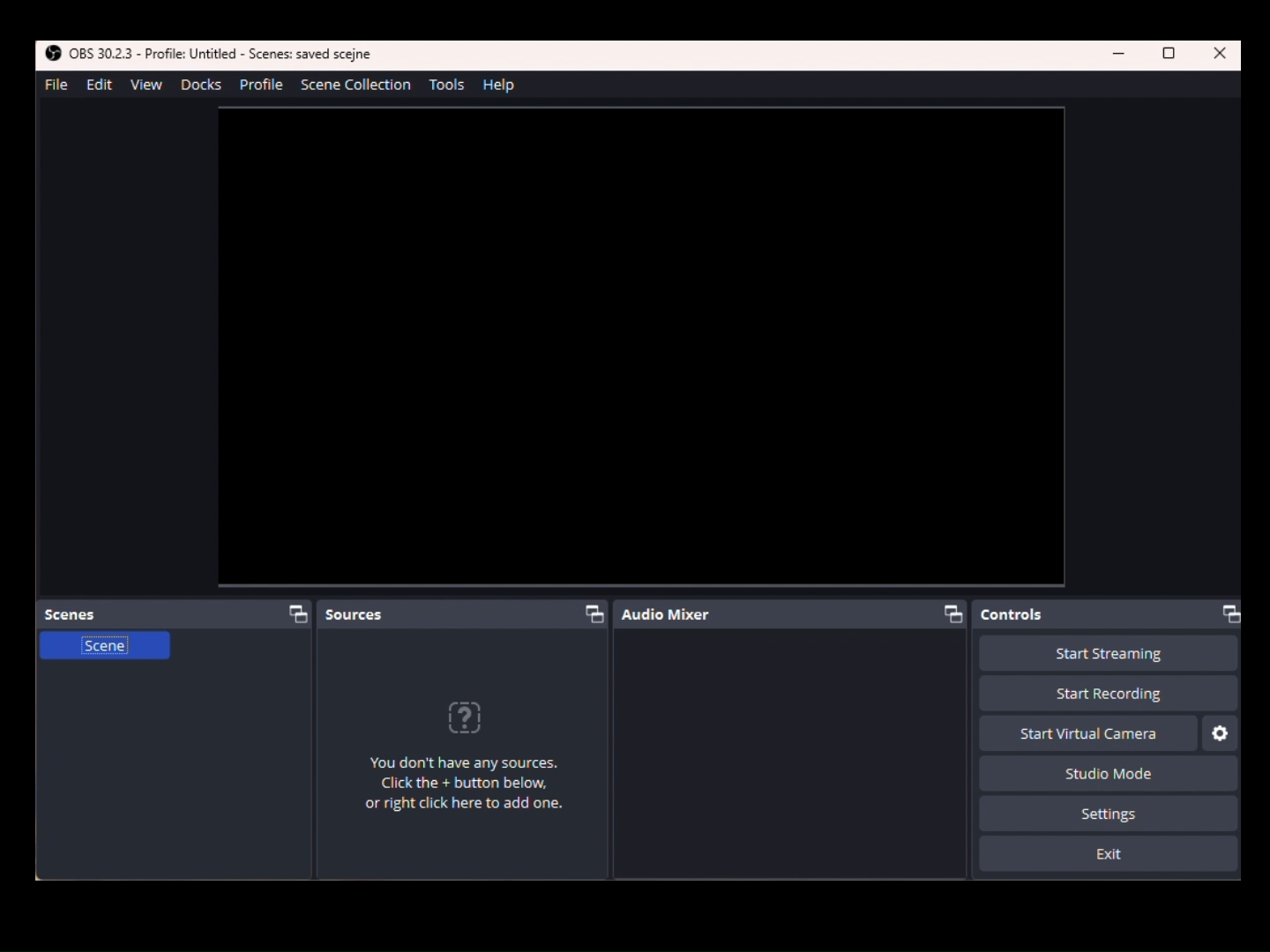  What do you see at coordinates (1109, 654) in the screenshot?
I see `Start Recording` at bounding box center [1109, 654].